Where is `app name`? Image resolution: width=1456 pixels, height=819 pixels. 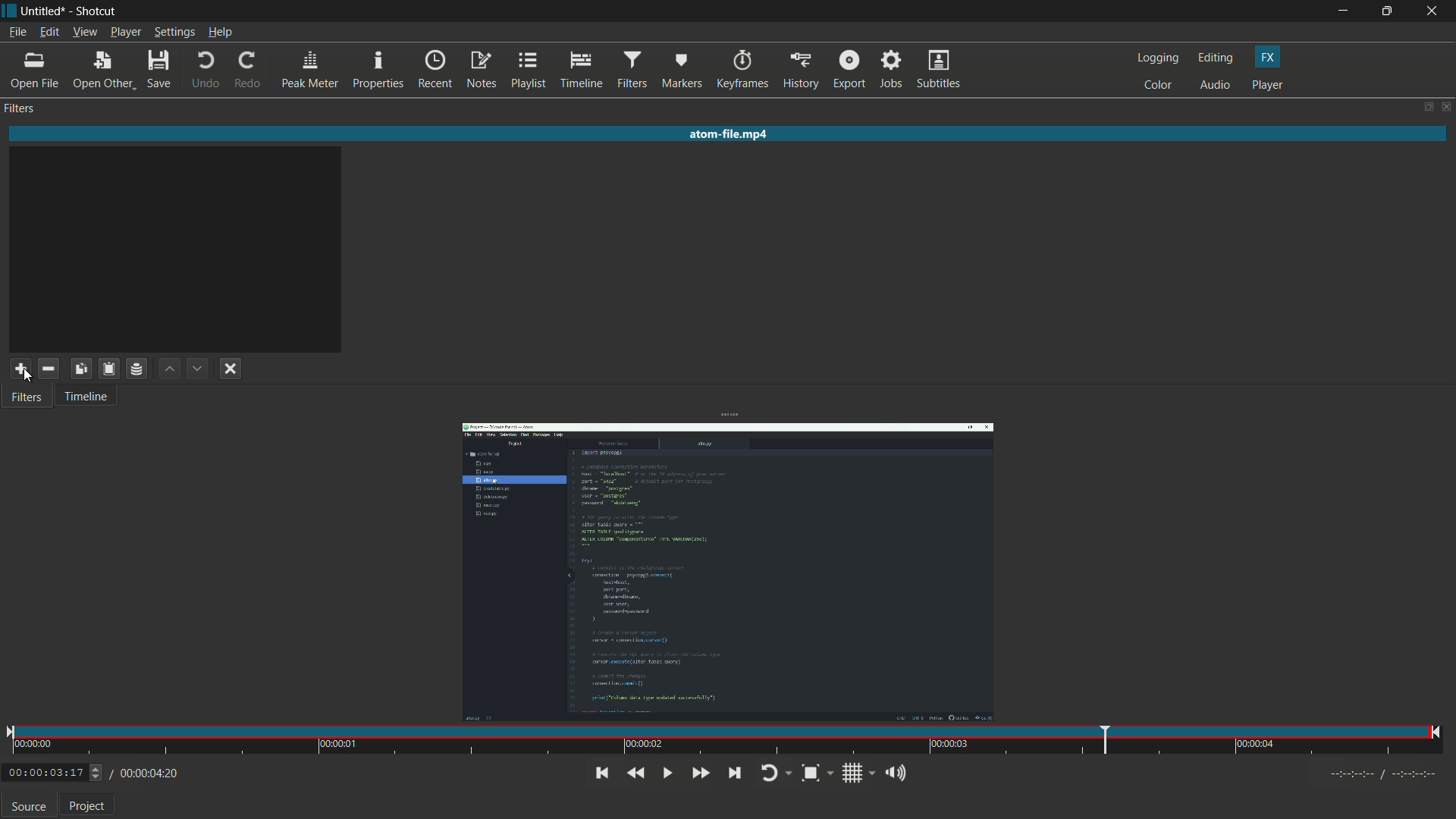
app name is located at coordinates (94, 11).